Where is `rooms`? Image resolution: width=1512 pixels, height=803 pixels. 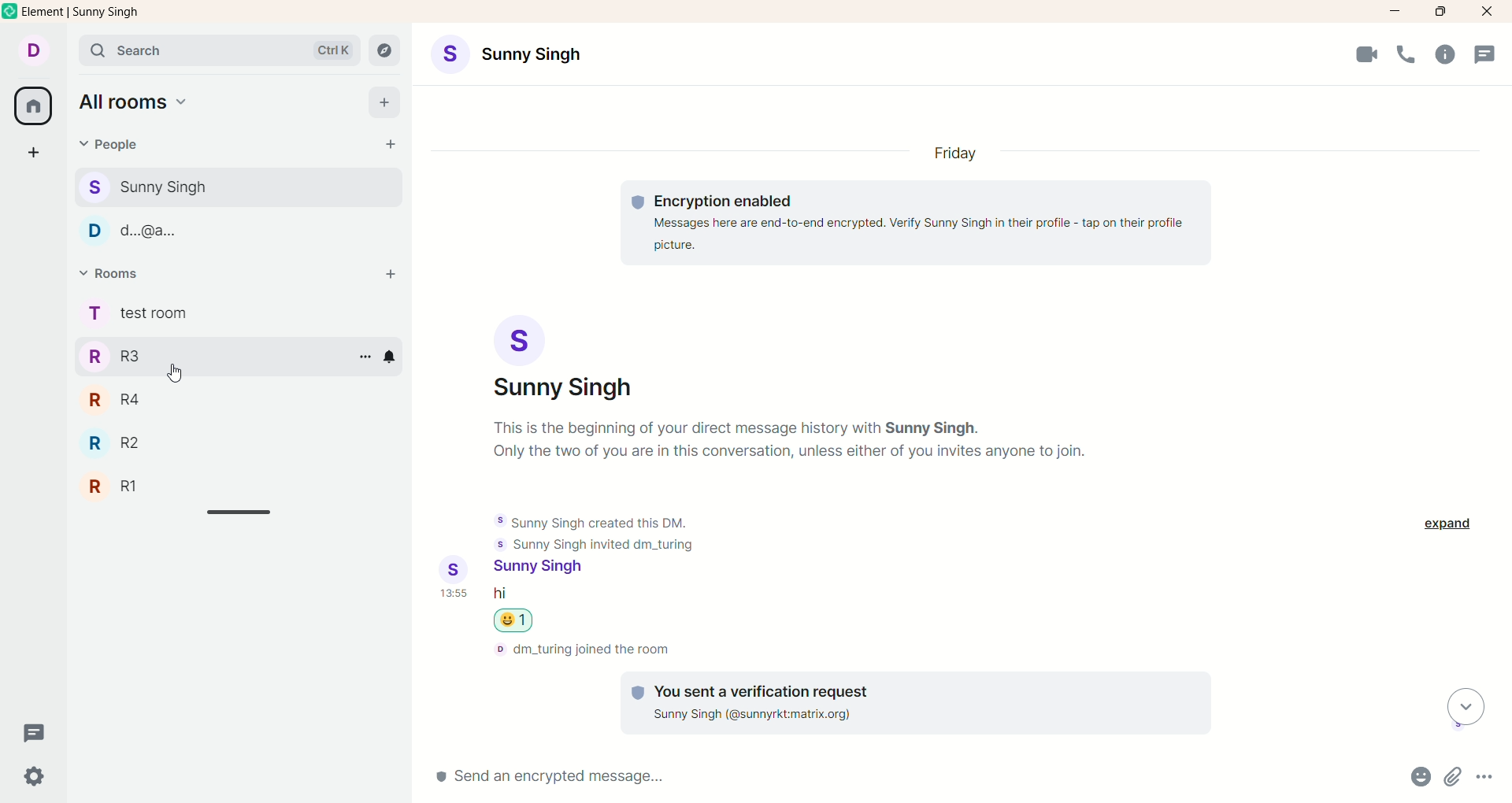 rooms is located at coordinates (139, 312).